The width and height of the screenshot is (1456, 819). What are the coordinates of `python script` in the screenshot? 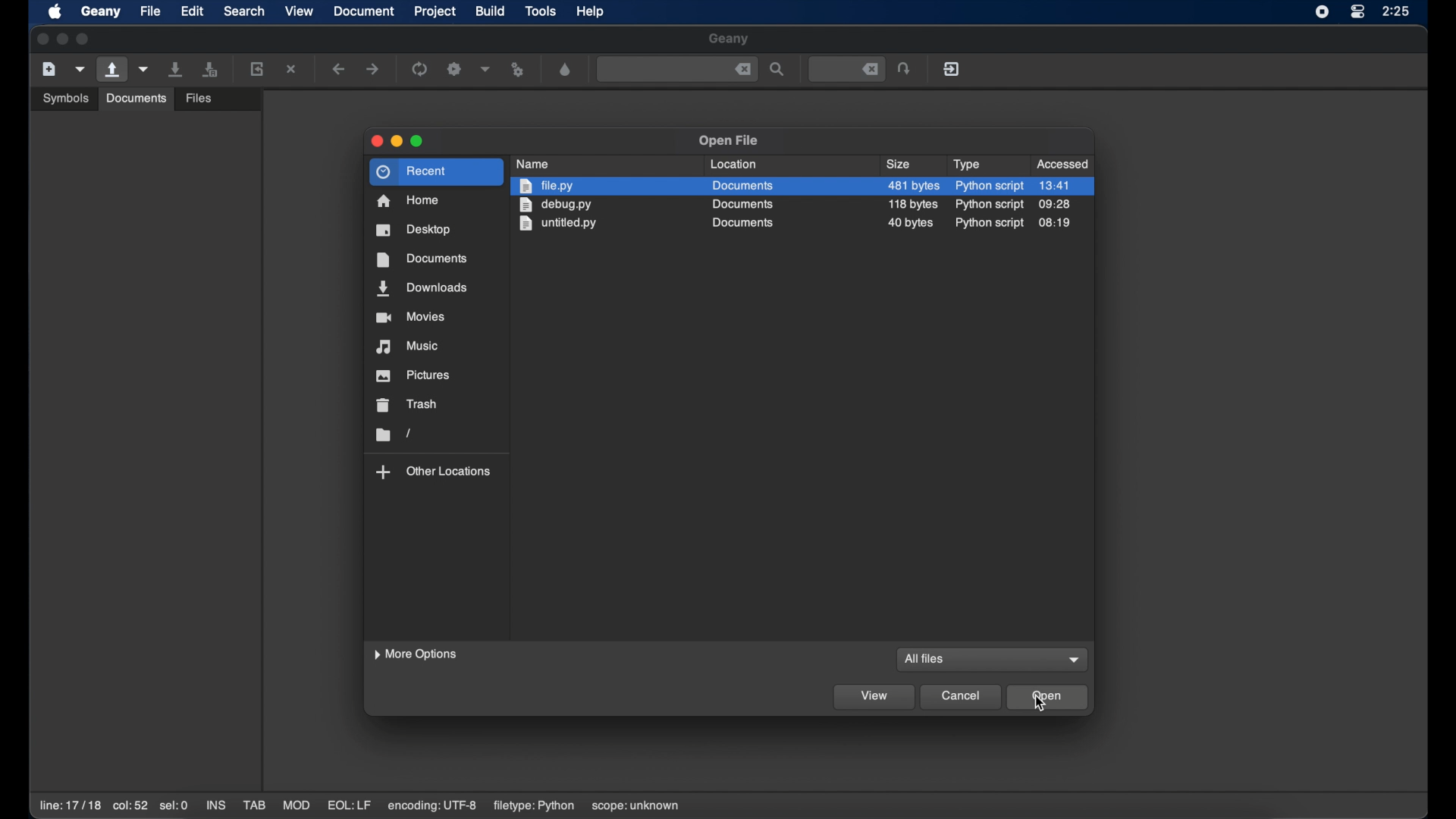 It's located at (989, 204).